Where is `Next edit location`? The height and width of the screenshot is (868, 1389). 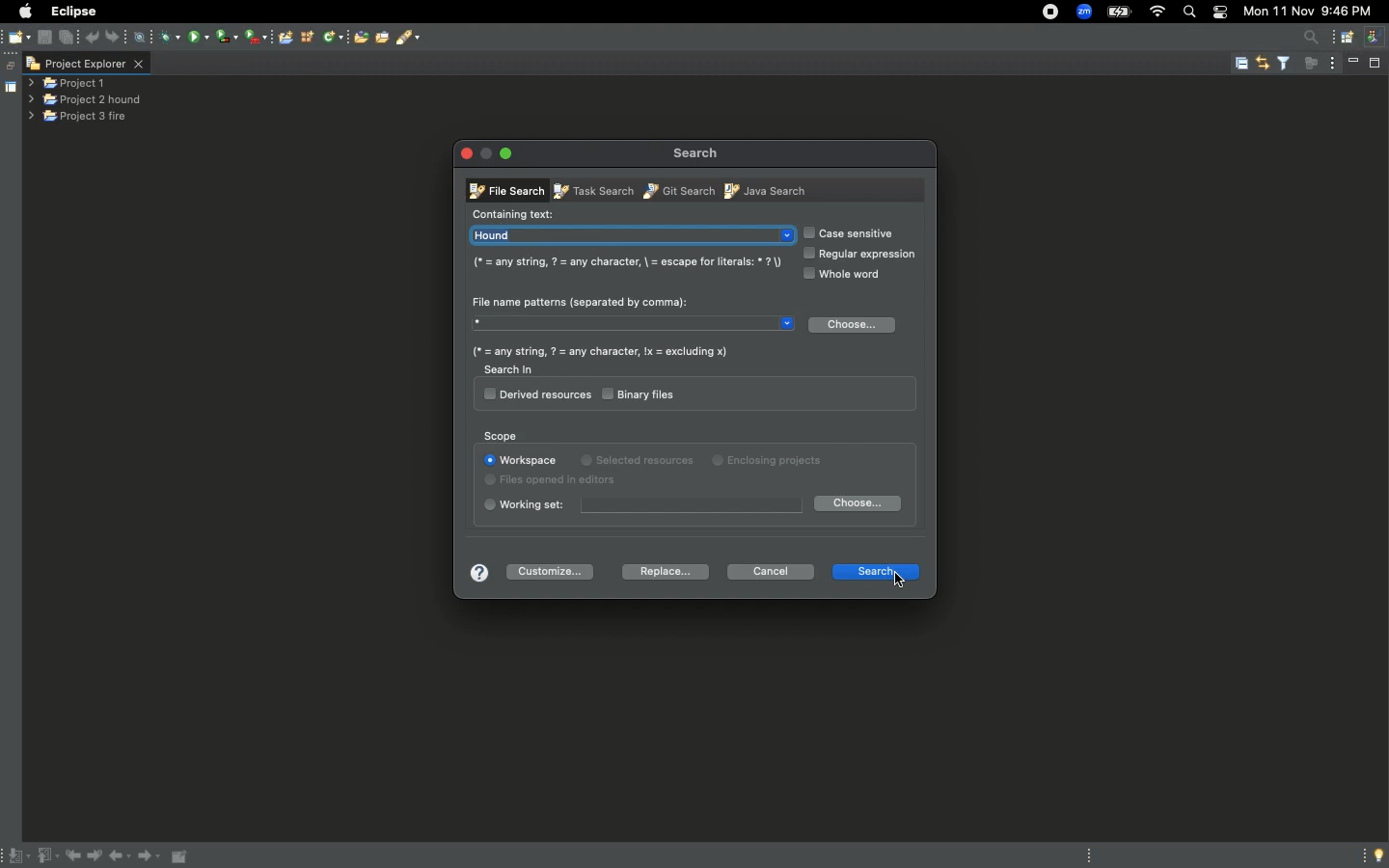
Next edit location is located at coordinates (96, 856).